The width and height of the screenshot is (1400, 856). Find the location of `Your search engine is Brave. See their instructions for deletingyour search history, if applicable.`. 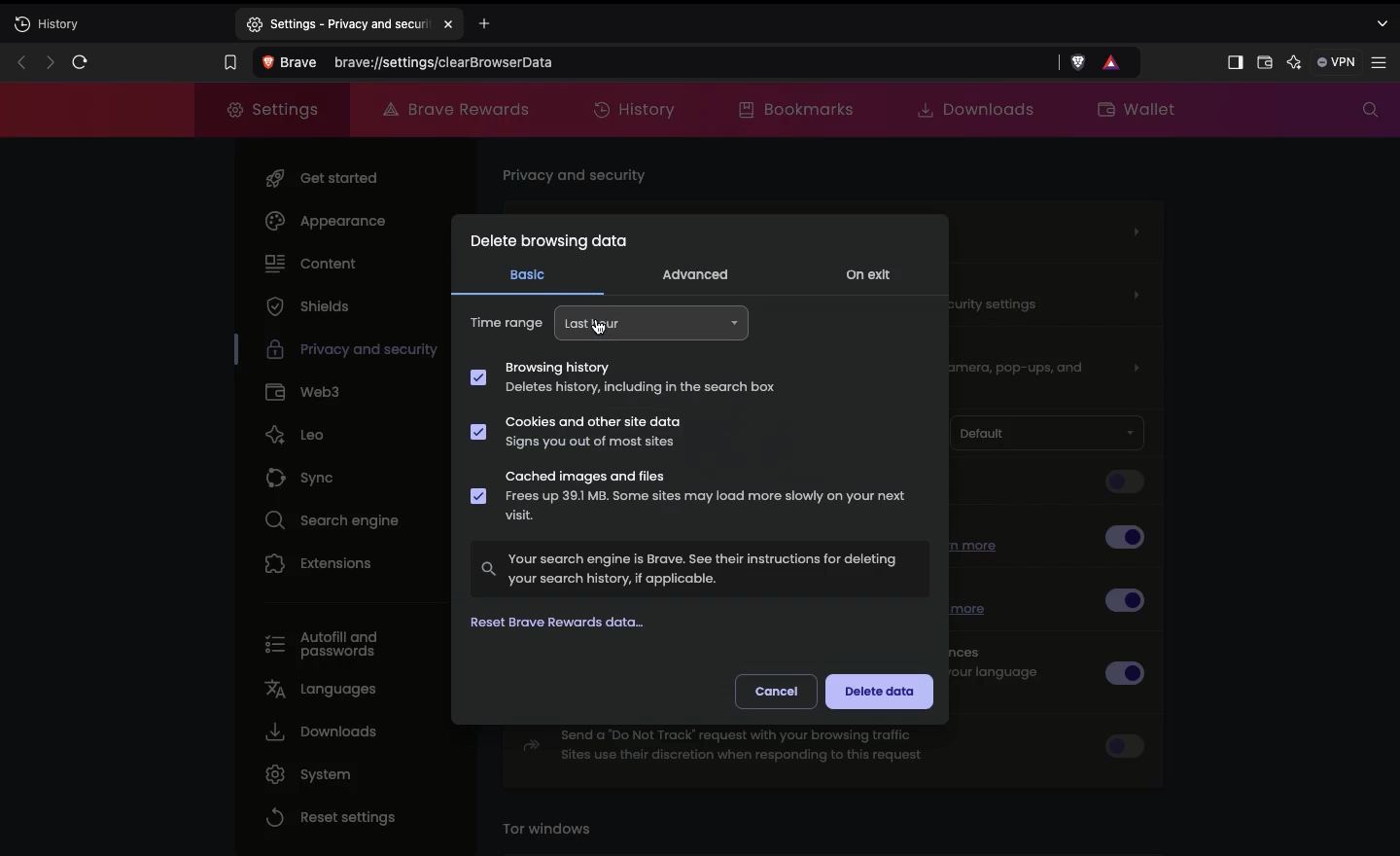

Your search engine is Brave. See their instructions for deletingyour search history, if applicable. is located at coordinates (700, 567).